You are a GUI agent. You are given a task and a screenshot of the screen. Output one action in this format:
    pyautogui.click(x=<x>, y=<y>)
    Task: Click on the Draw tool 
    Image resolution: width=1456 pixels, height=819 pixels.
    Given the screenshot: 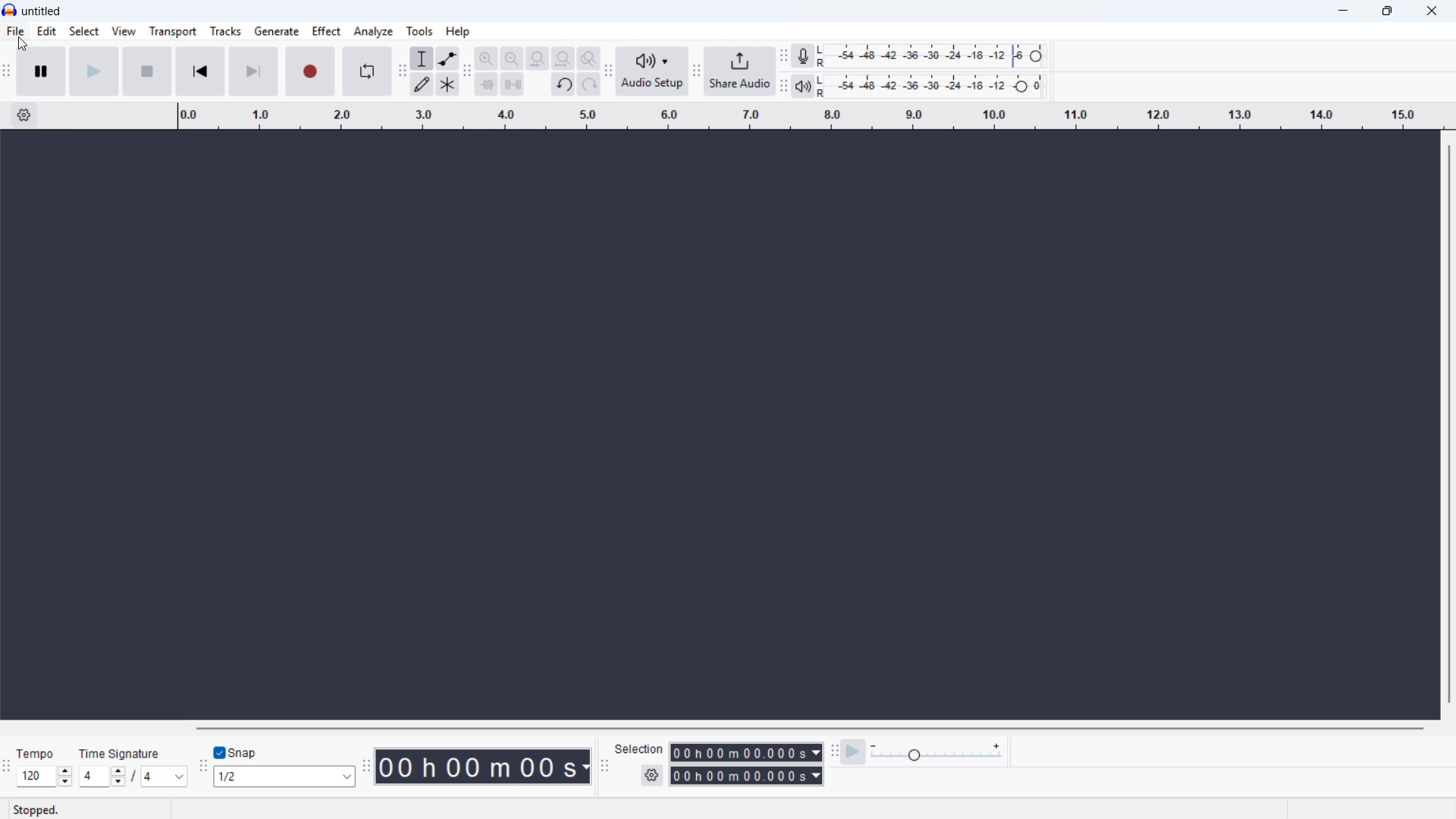 What is the action you would take?
    pyautogui.click(x=422, y=84)
    